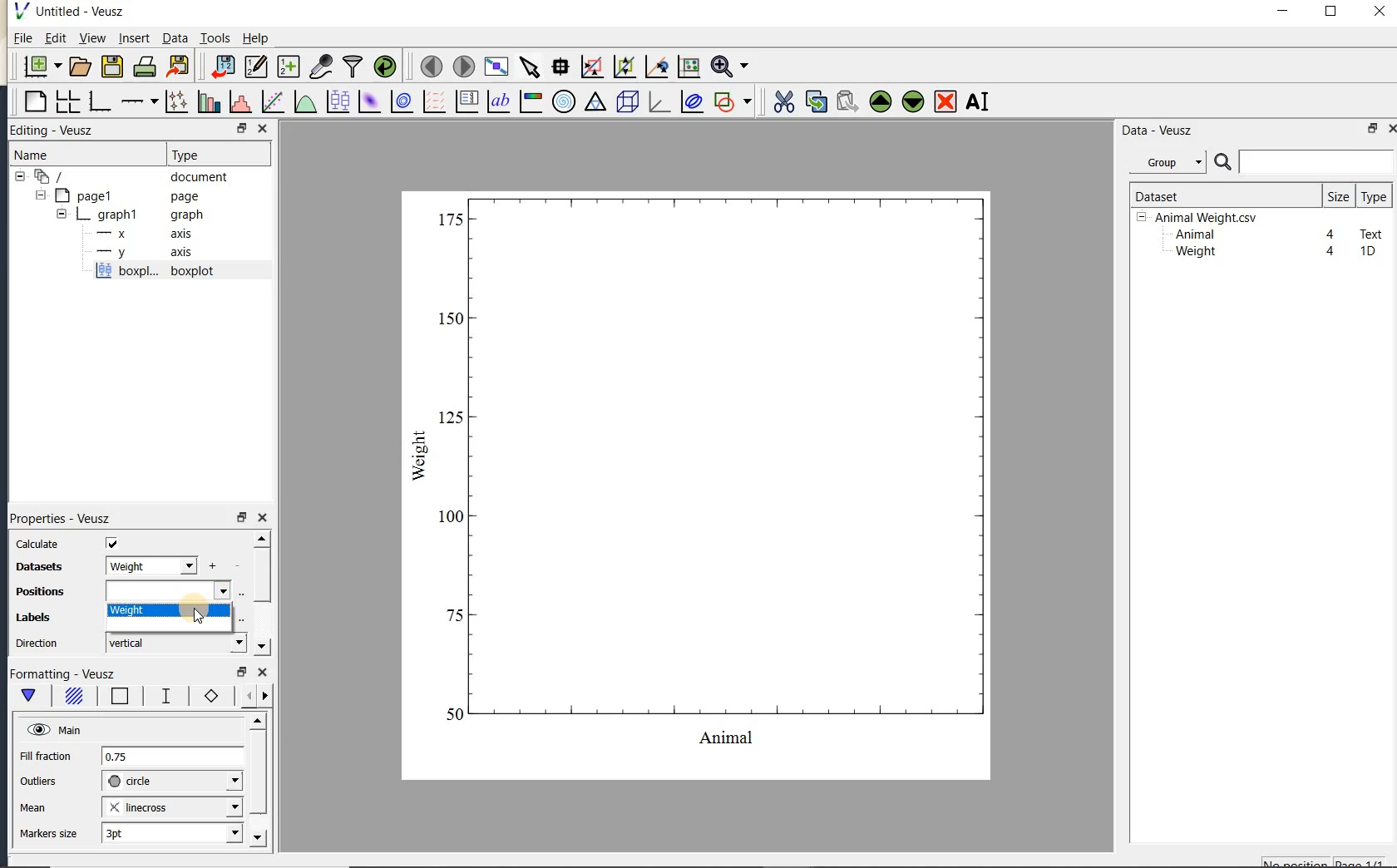  What do you see at coordinates (262, 128) in the screenshot?
I see `CLOSE` at bounding box center [262, 128].